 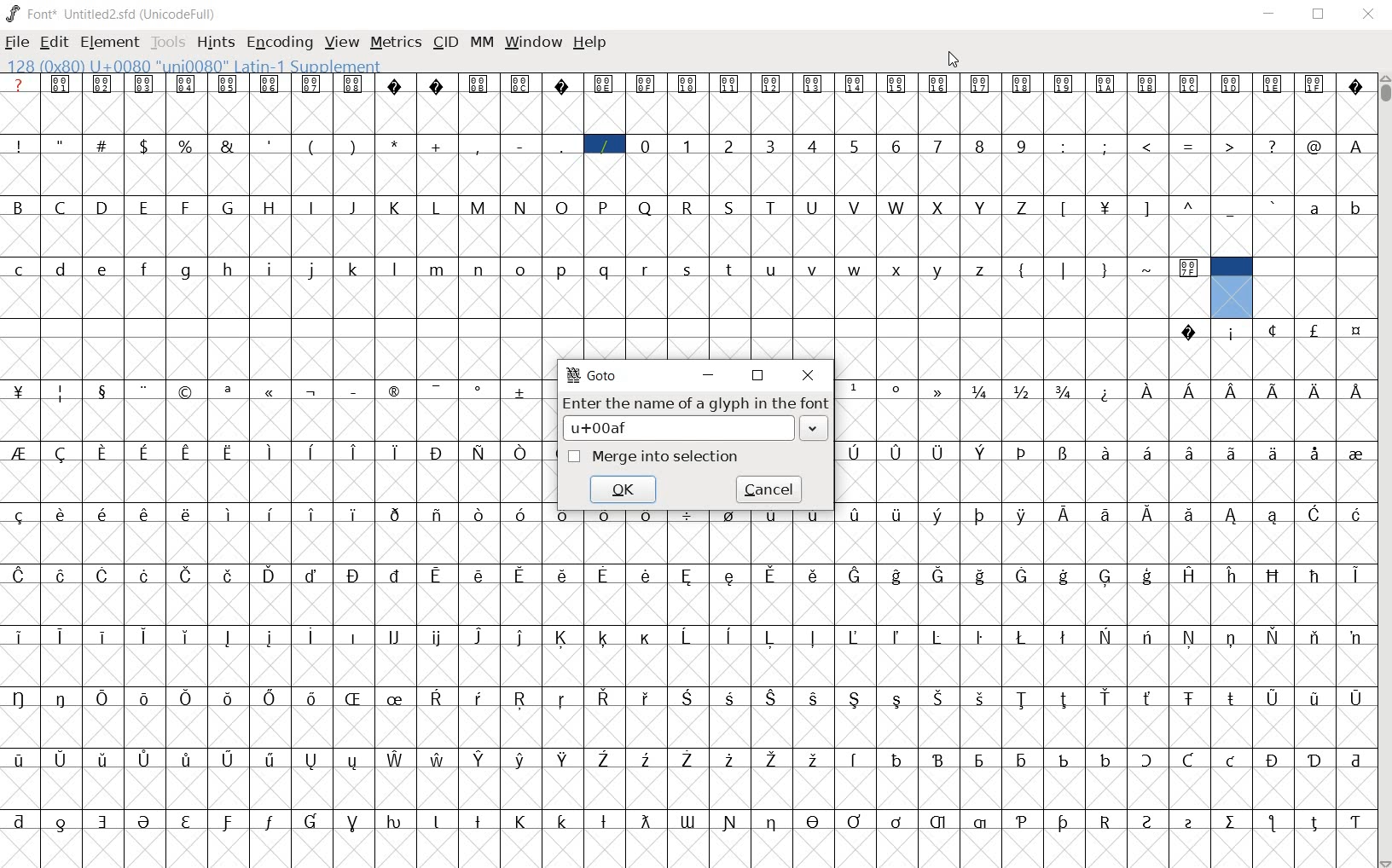 I want to click on window, so click(x=533, y=43).